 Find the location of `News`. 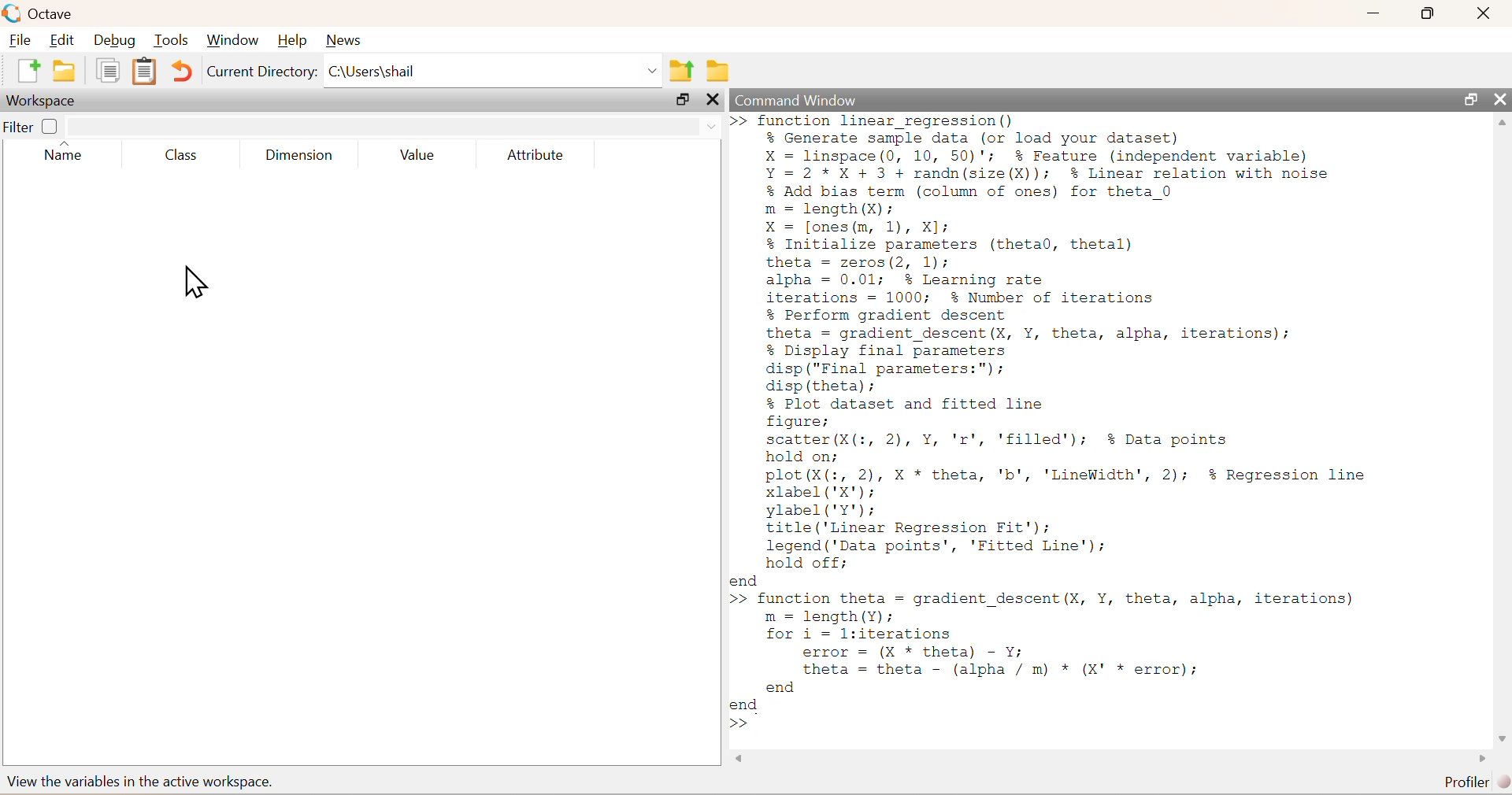

News is located at coordinates (342, 41).